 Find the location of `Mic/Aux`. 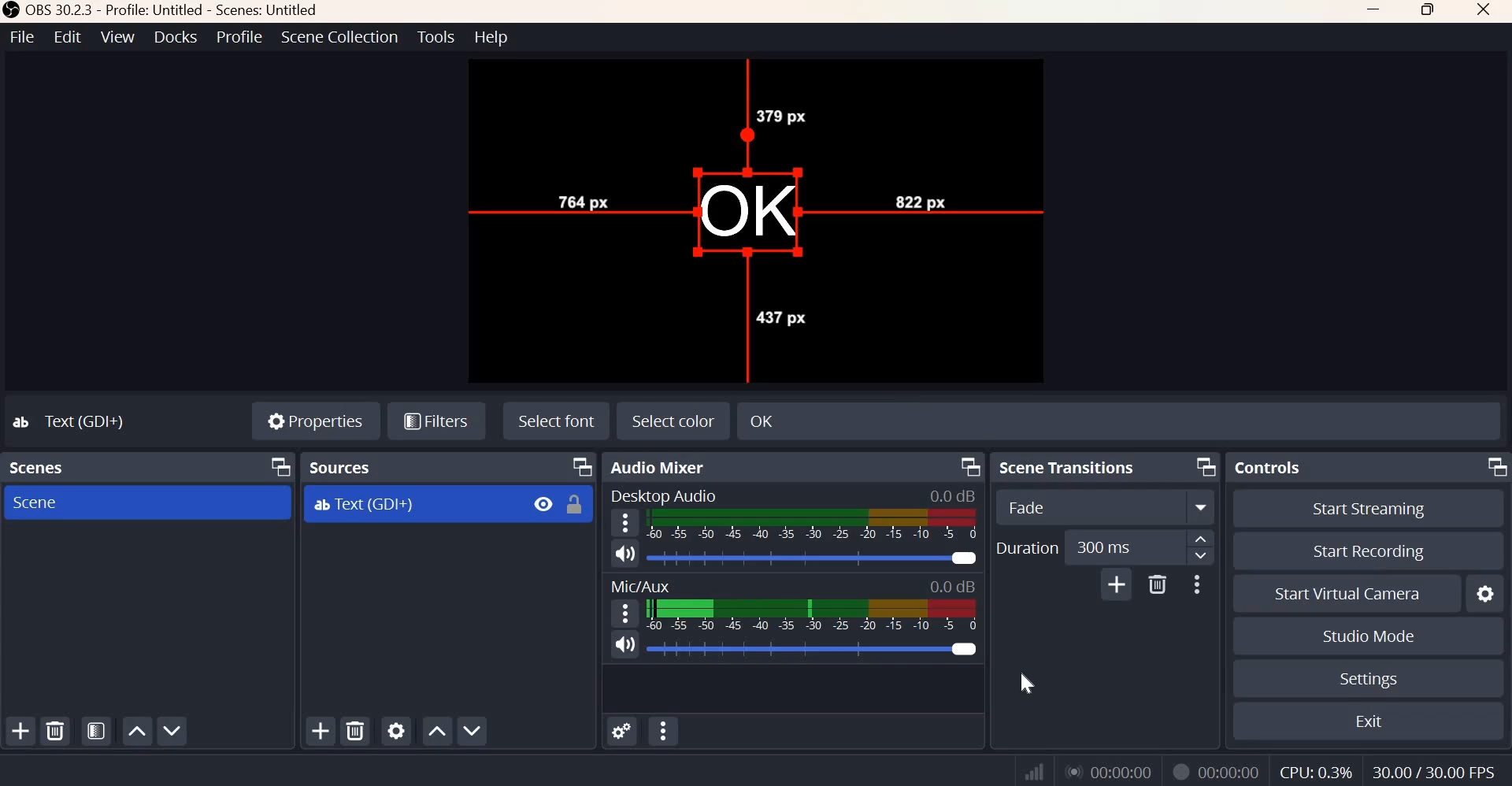

Mic/Aux is located at coordinates (639, 584).